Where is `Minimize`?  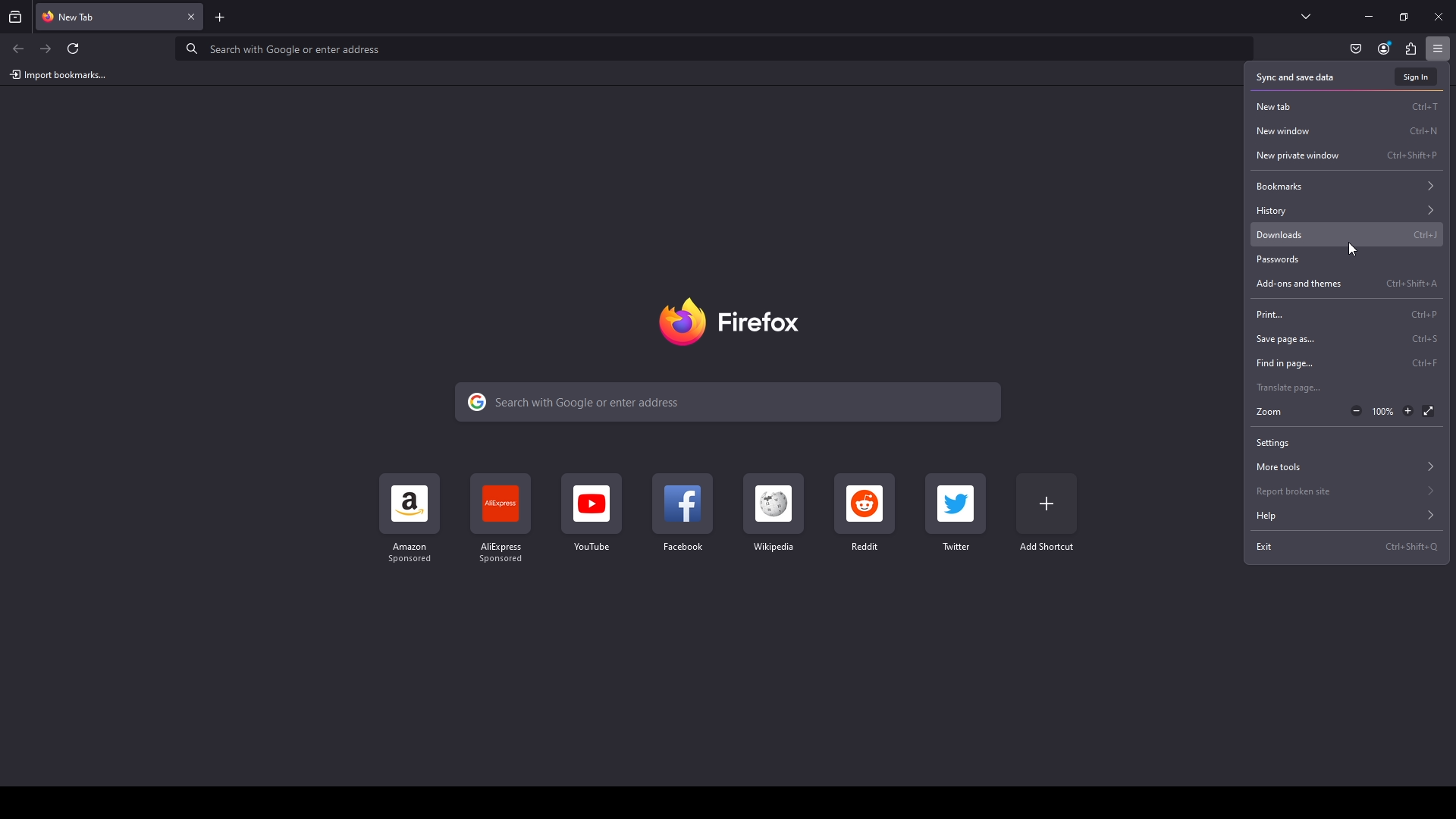
Minimize is located at coordinates (1370, 17).